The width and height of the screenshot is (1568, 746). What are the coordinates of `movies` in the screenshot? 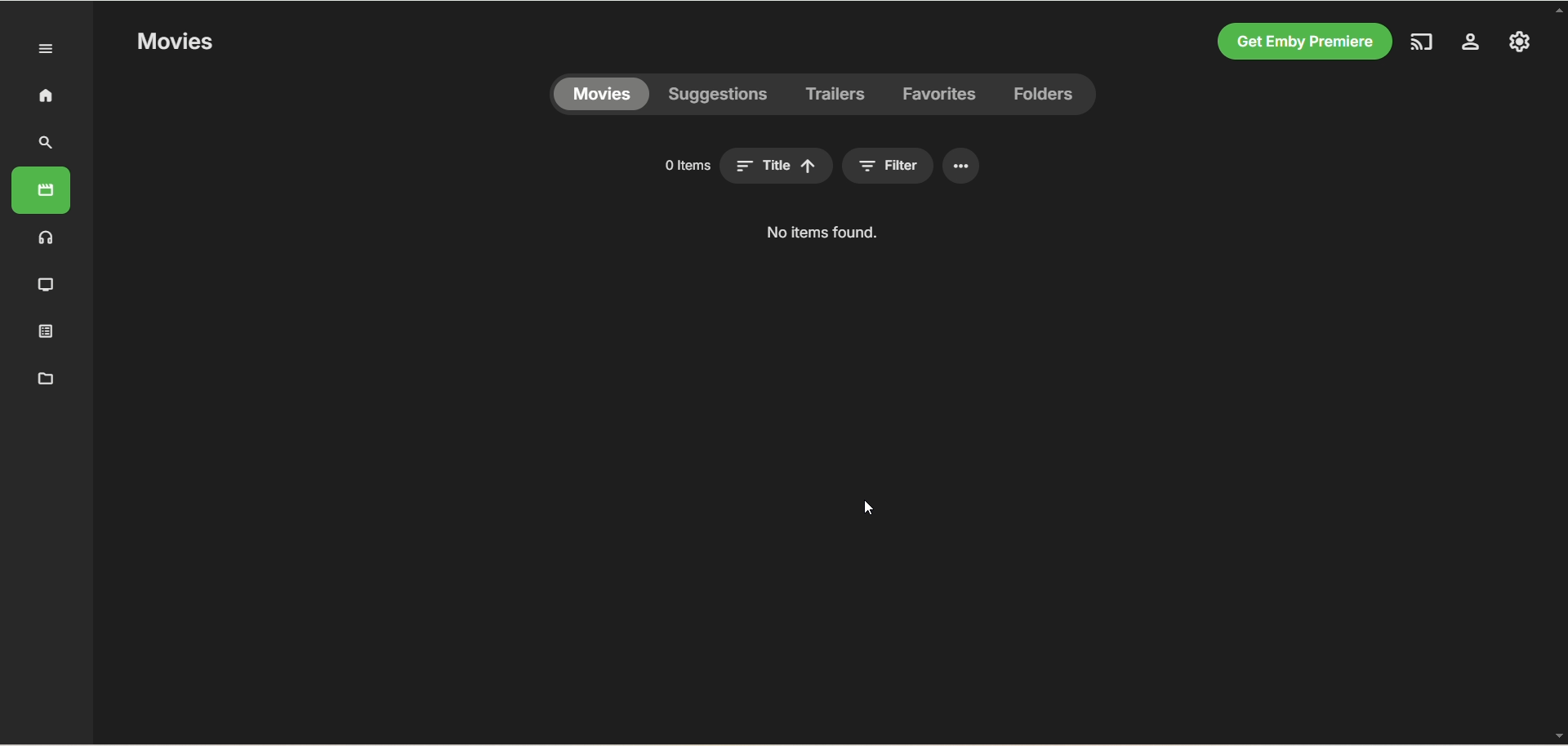 It's located at (174, 42).